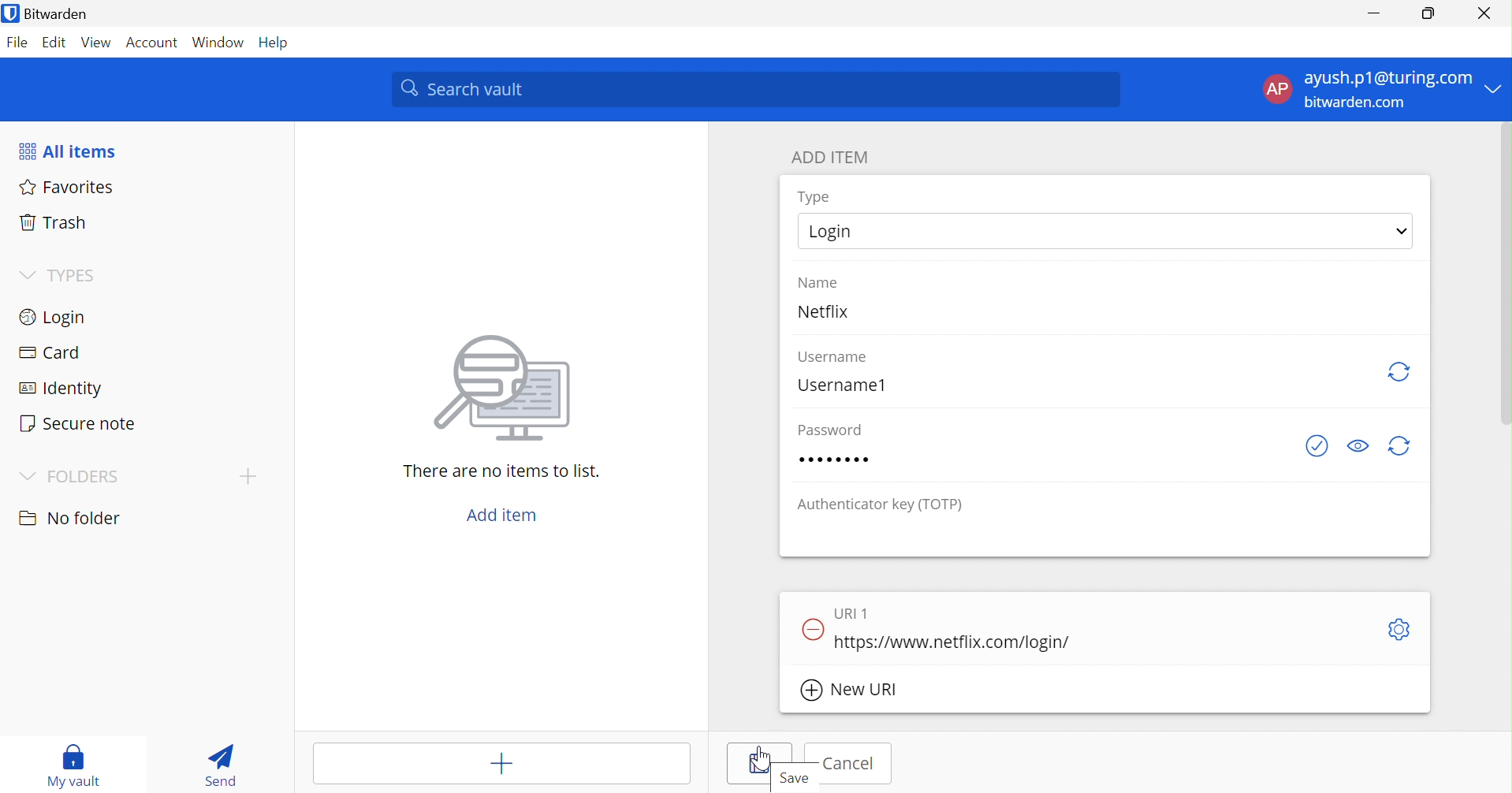 This screenshot has width=1512, height=793. I want to click on Username, so click(833, 358).